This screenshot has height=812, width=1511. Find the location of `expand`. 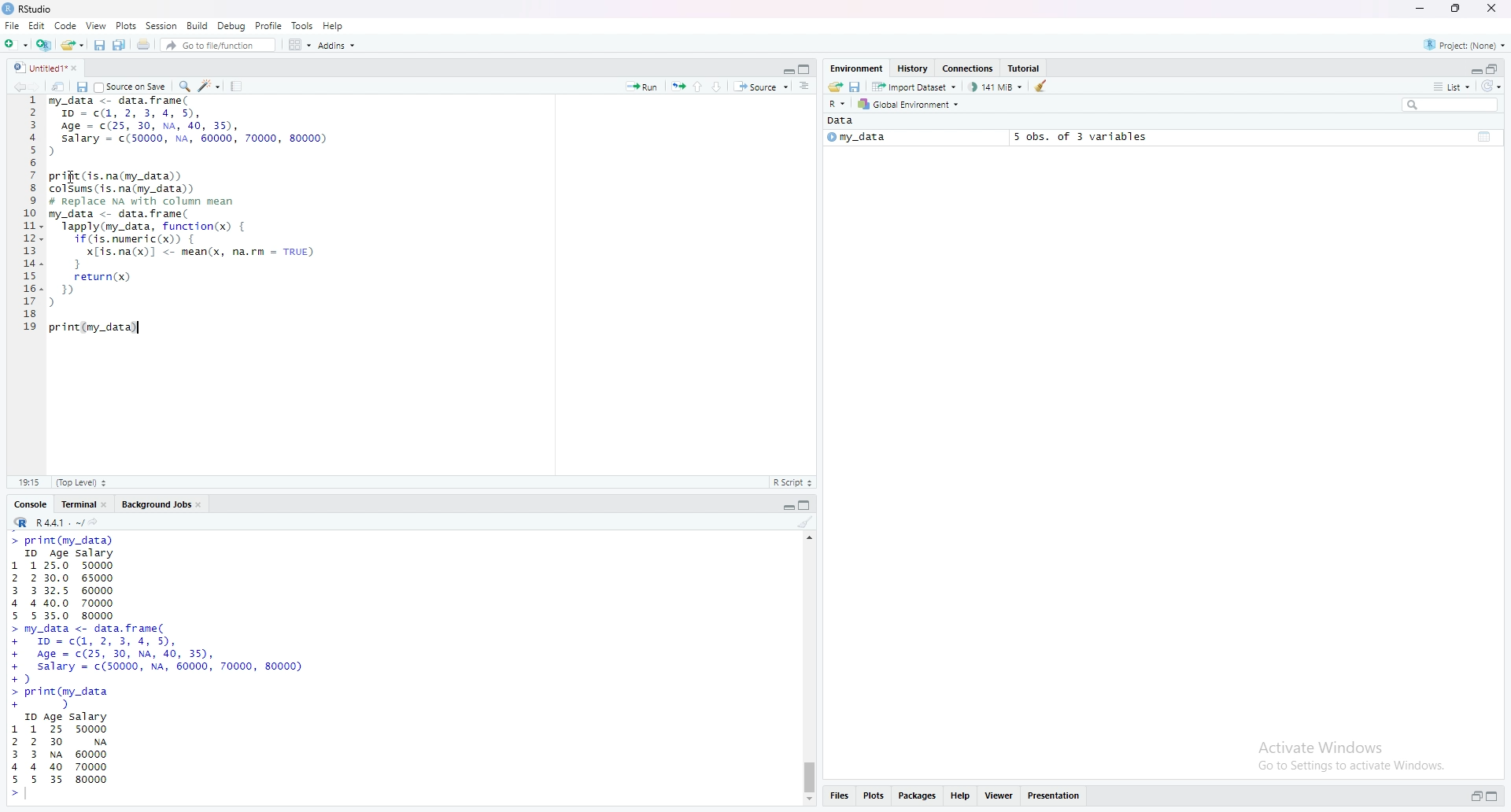

expand is located at coordinates (1474, 71).